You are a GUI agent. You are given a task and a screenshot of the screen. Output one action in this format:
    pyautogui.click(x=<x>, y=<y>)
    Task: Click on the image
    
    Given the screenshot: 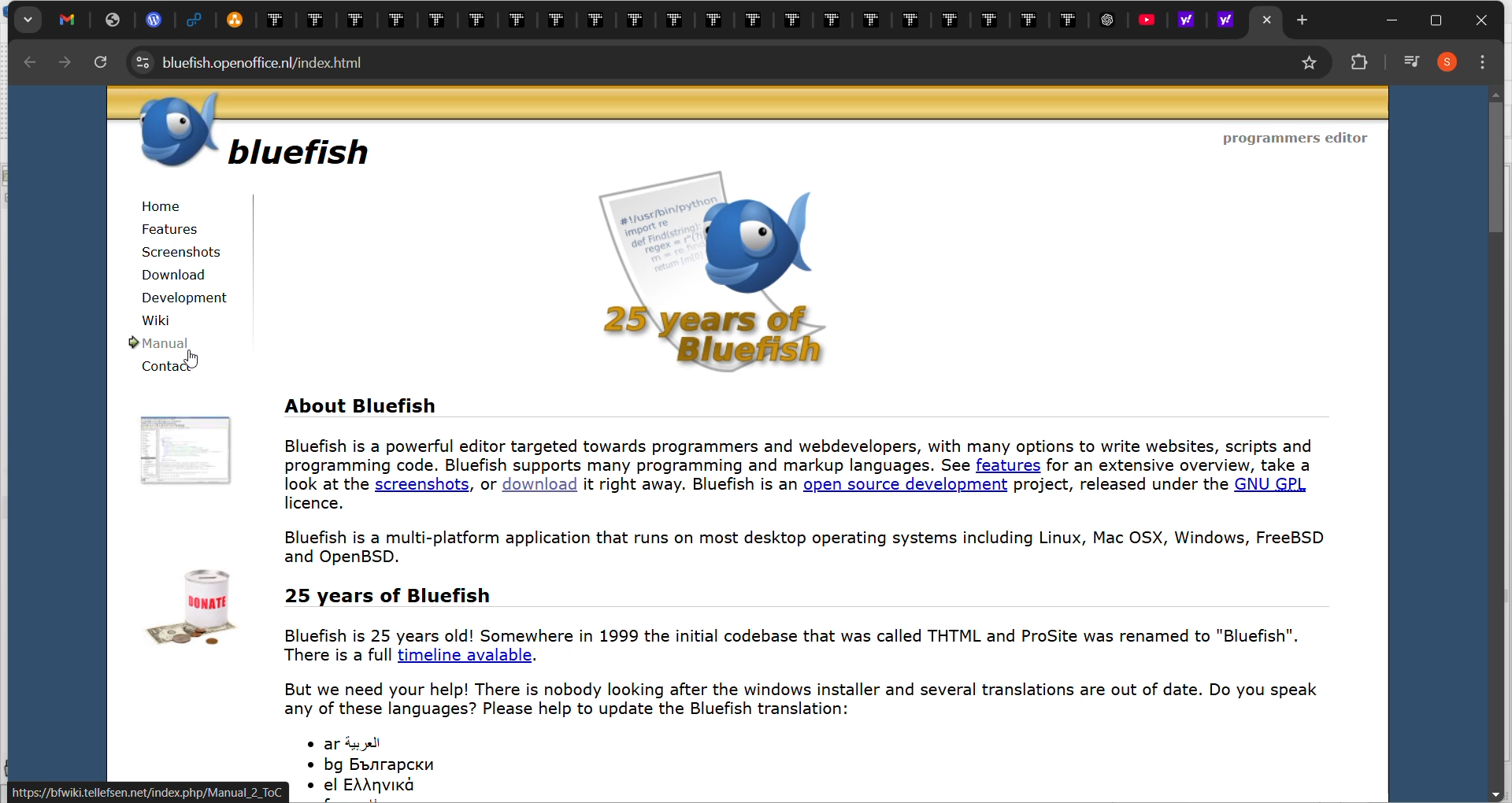 What is the action you would take?
    pyautogui.click(x=185, y=453)
    